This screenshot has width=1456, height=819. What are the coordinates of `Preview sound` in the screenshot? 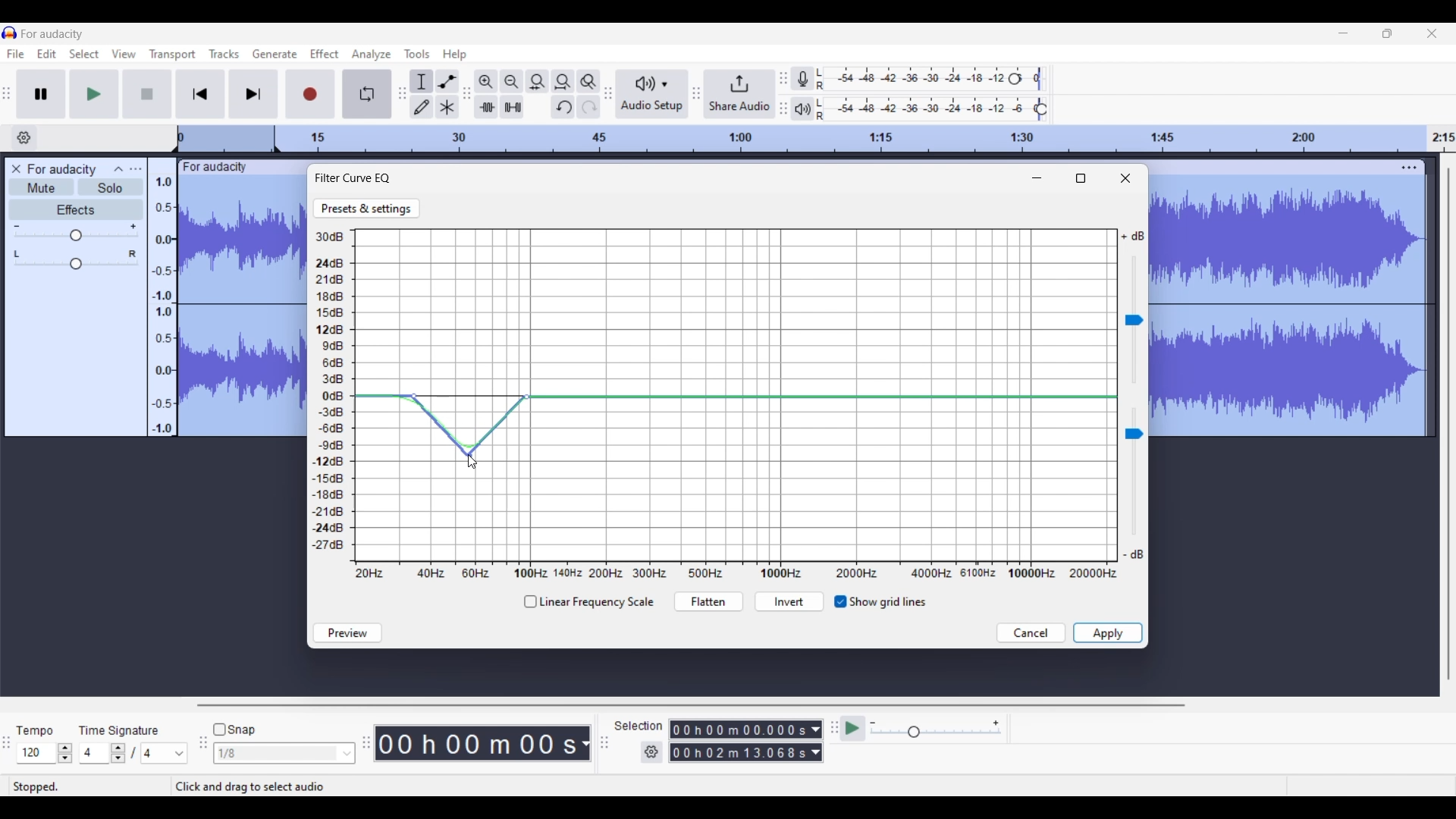 It's located at (347, 633).